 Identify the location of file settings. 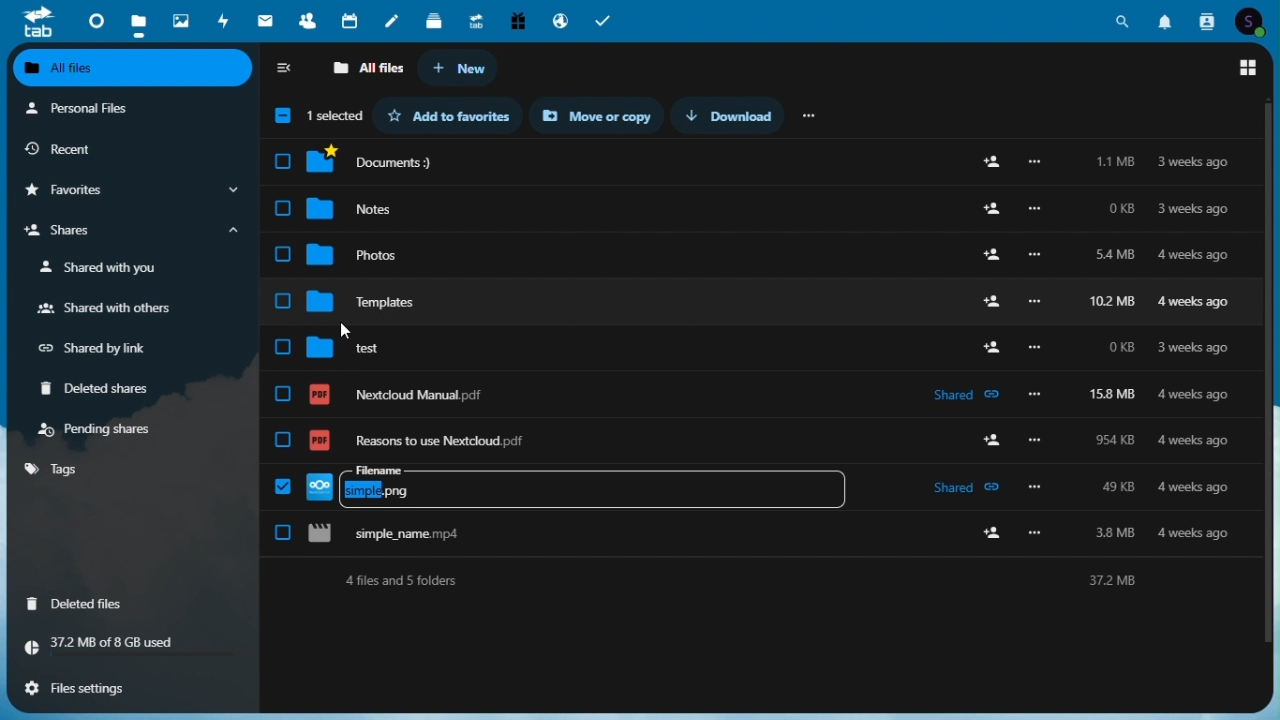
(126, 686).